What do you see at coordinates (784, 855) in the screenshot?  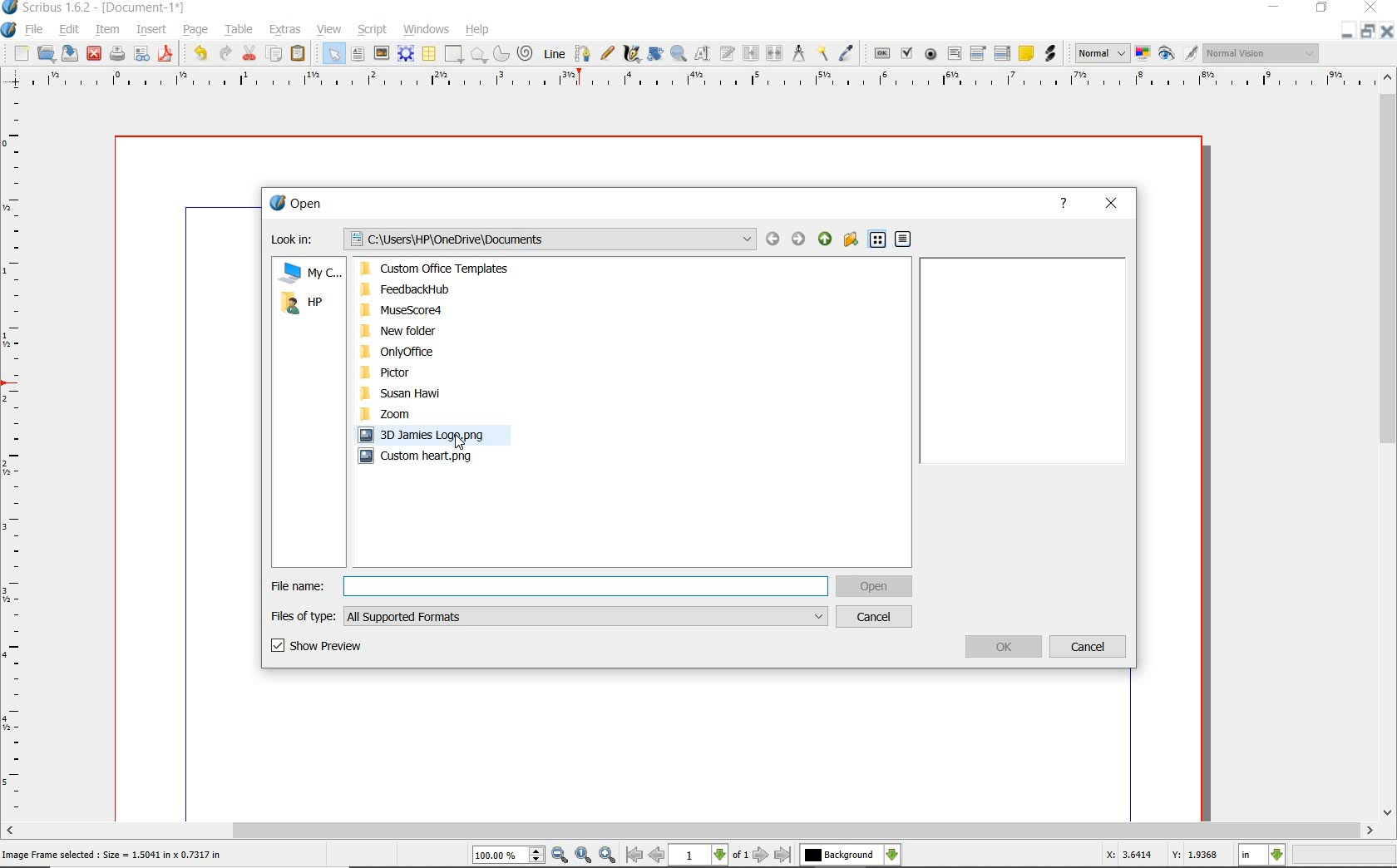 I see `go to last page` at bounding box center [784, 855].